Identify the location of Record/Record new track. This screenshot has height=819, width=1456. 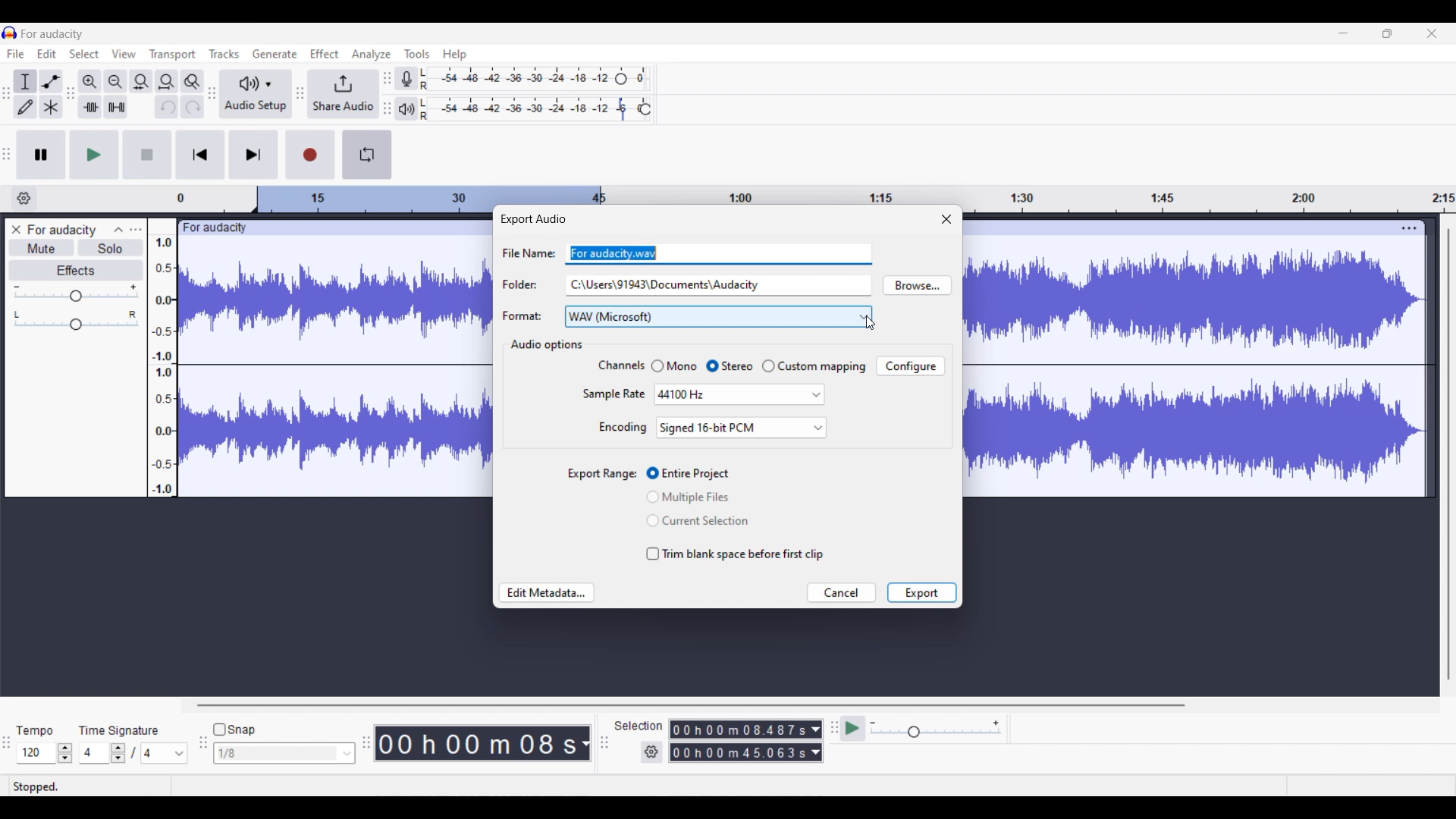
(311, 155).